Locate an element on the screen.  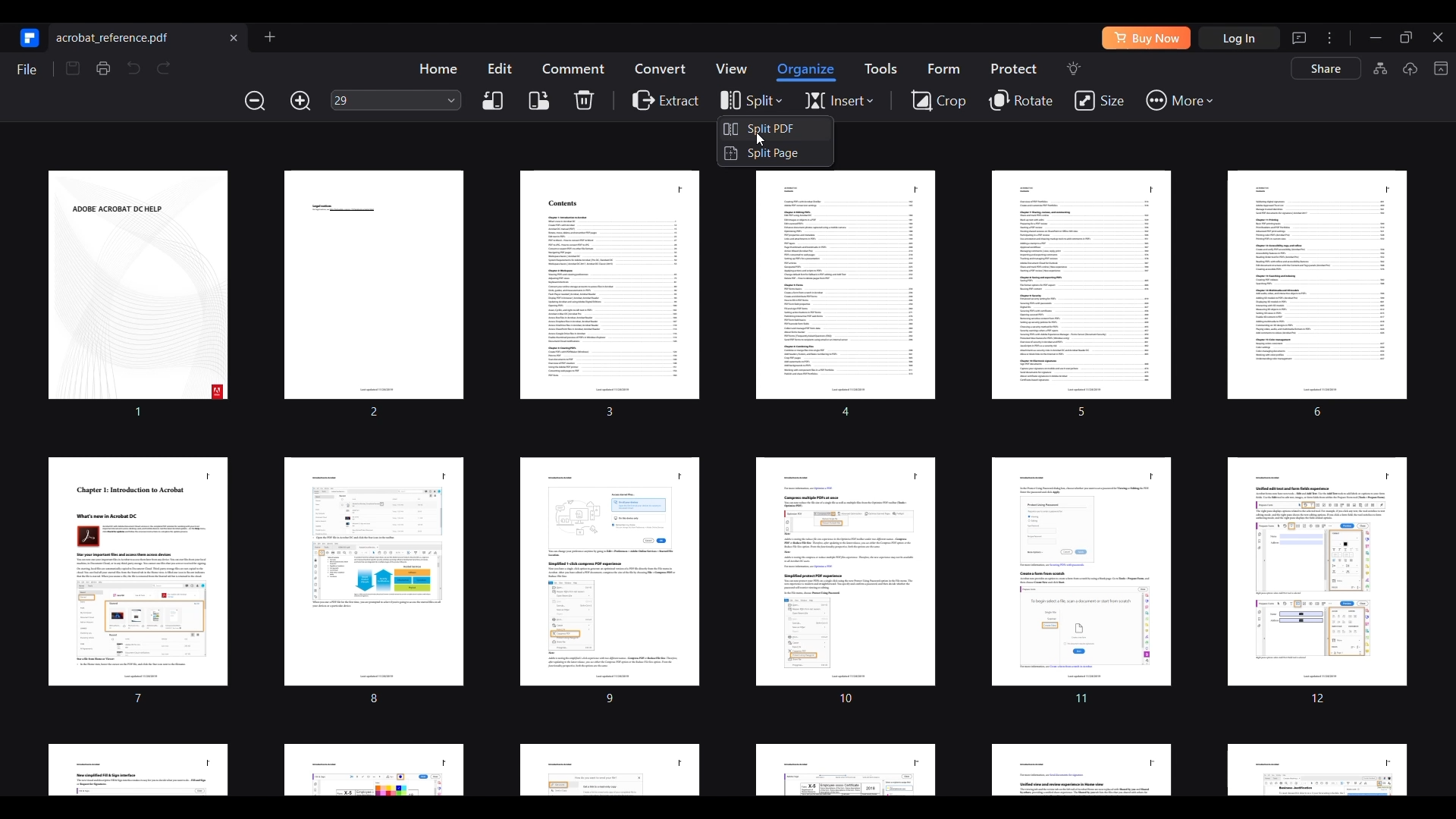
Size is located at coordinates (1099, 101).